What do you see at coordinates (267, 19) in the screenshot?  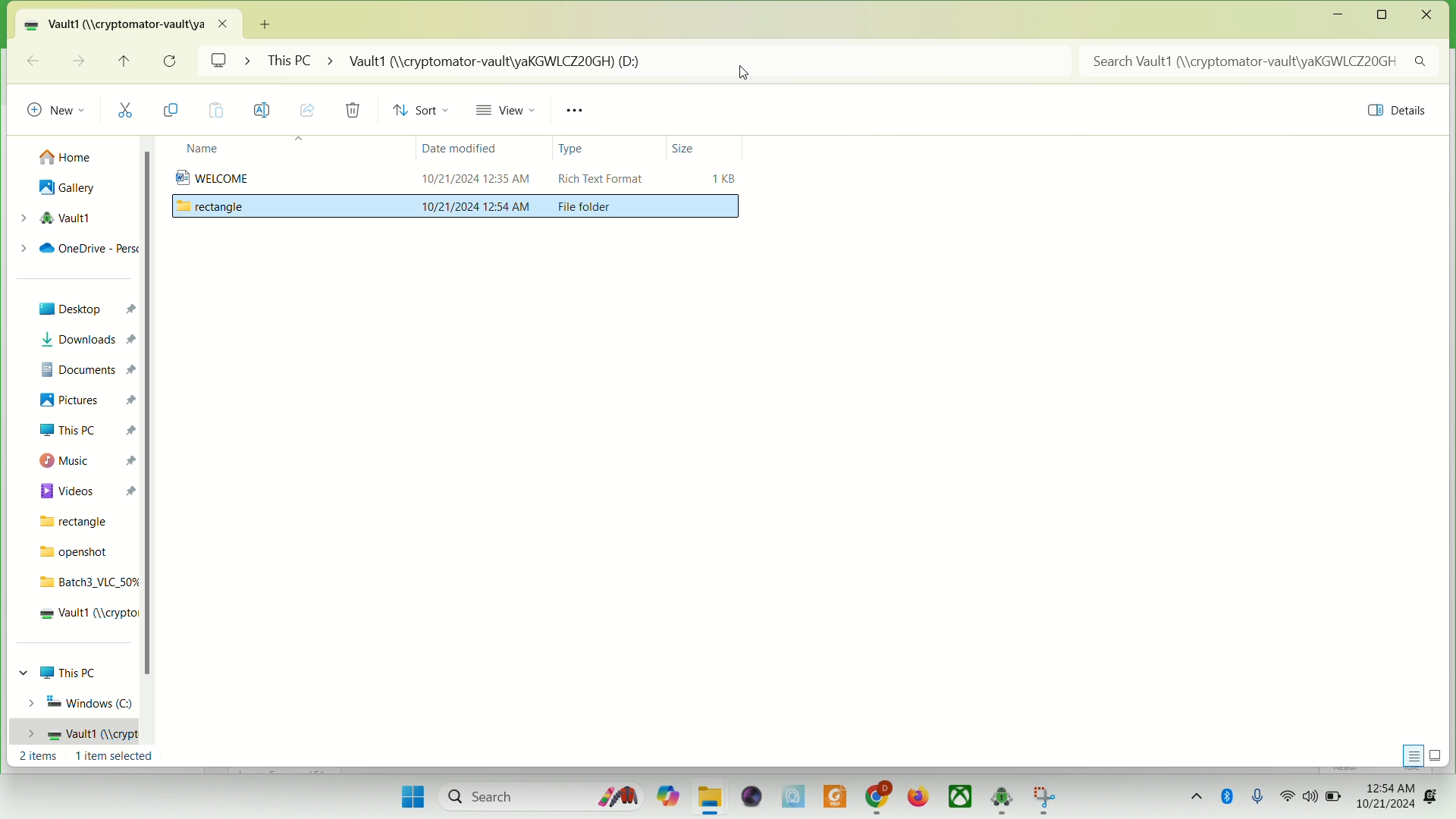 I see `Add` at bounding box center [267, 19].